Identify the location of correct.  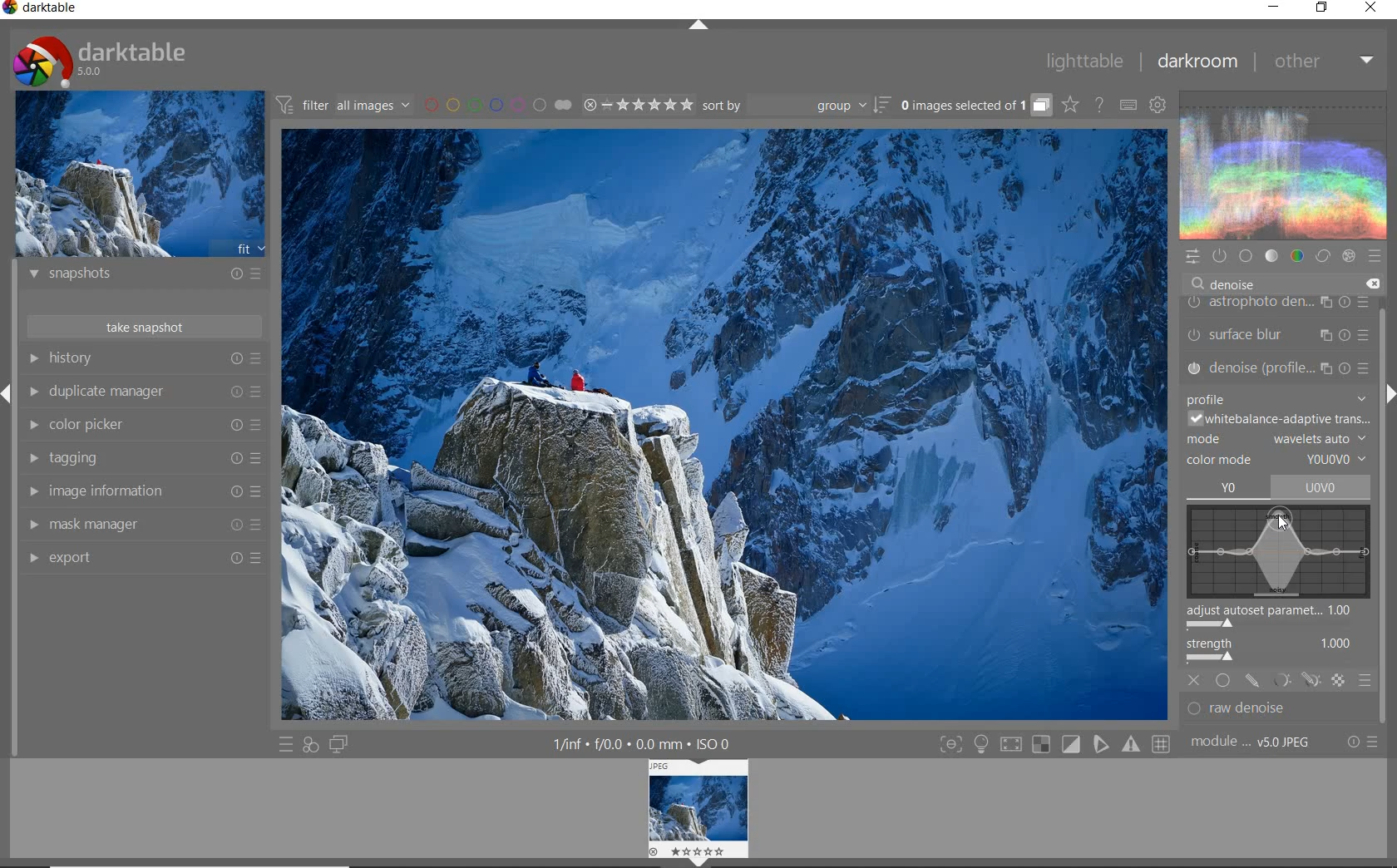
(1322, 255).